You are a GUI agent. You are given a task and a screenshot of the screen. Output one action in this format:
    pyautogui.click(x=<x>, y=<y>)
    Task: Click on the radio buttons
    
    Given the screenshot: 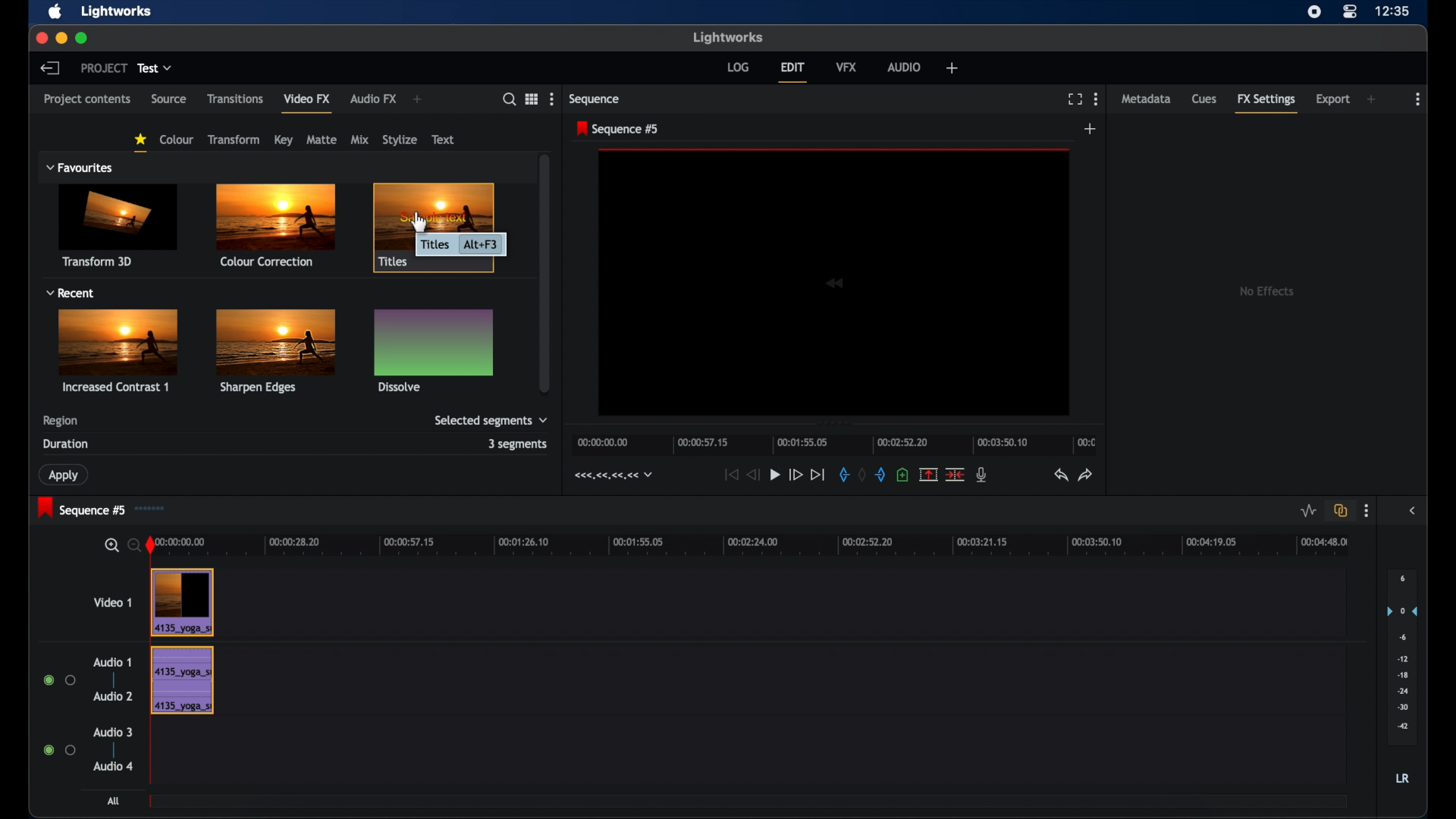 What is the action you would take?
    pyautogui.click(x=60, y=680)
    